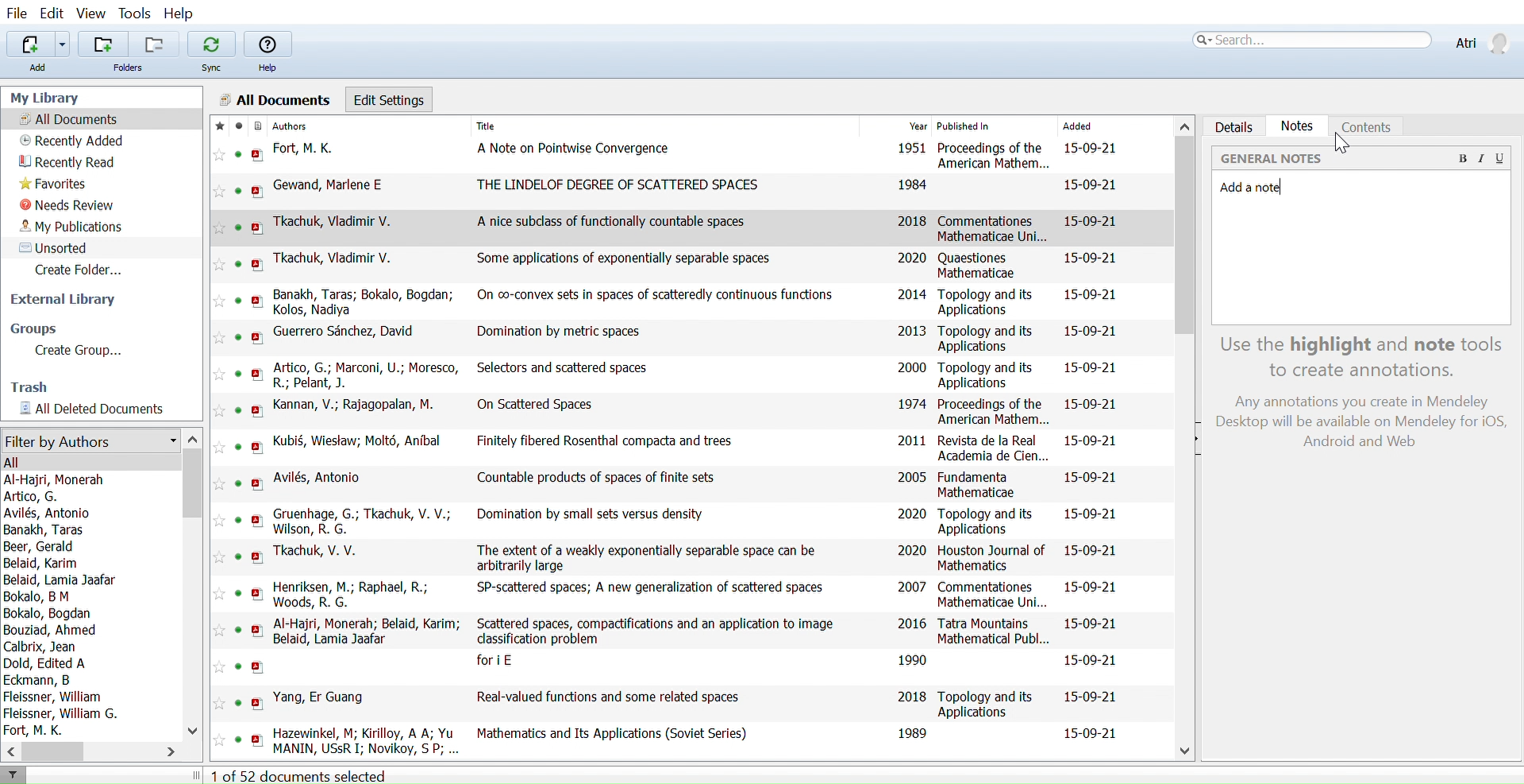 This screenshot has width=1524, height=784. I want to click on Authors, so click(291, 126).